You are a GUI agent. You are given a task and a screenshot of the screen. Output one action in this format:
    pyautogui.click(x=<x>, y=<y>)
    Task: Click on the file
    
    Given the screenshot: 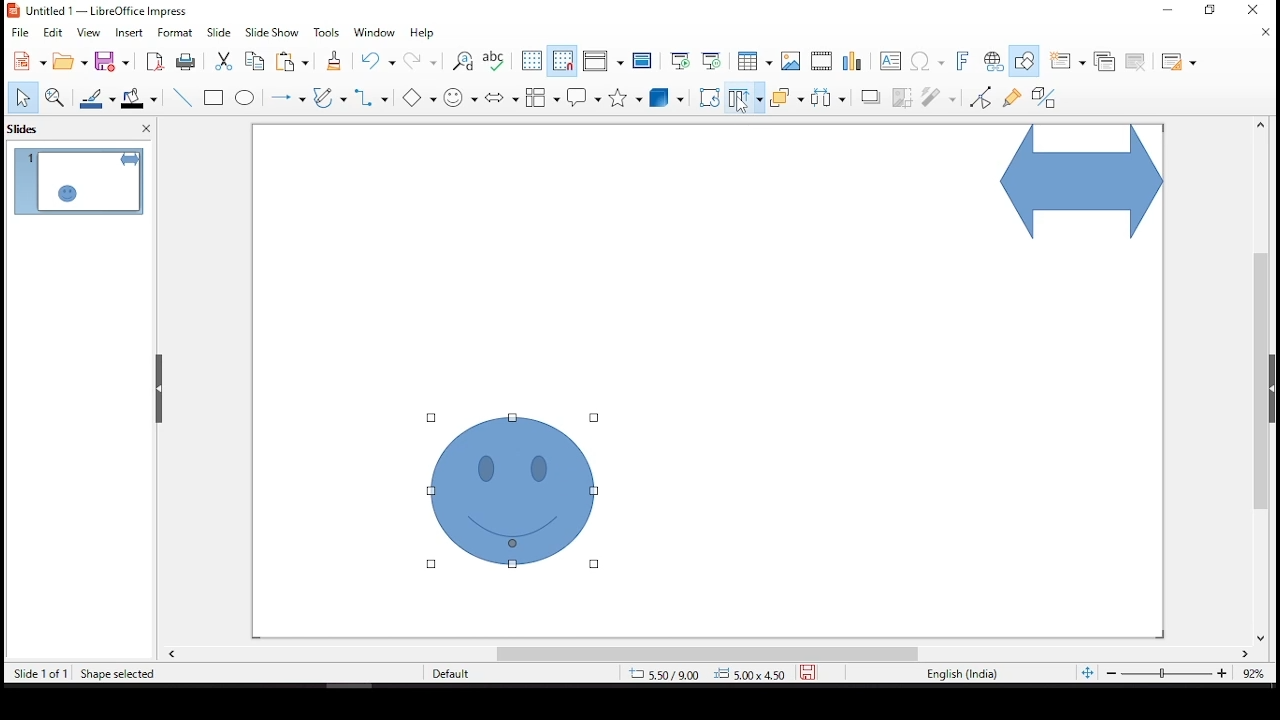 What is the action you would take?
    pyautogui.click(x=20, y=31)
    